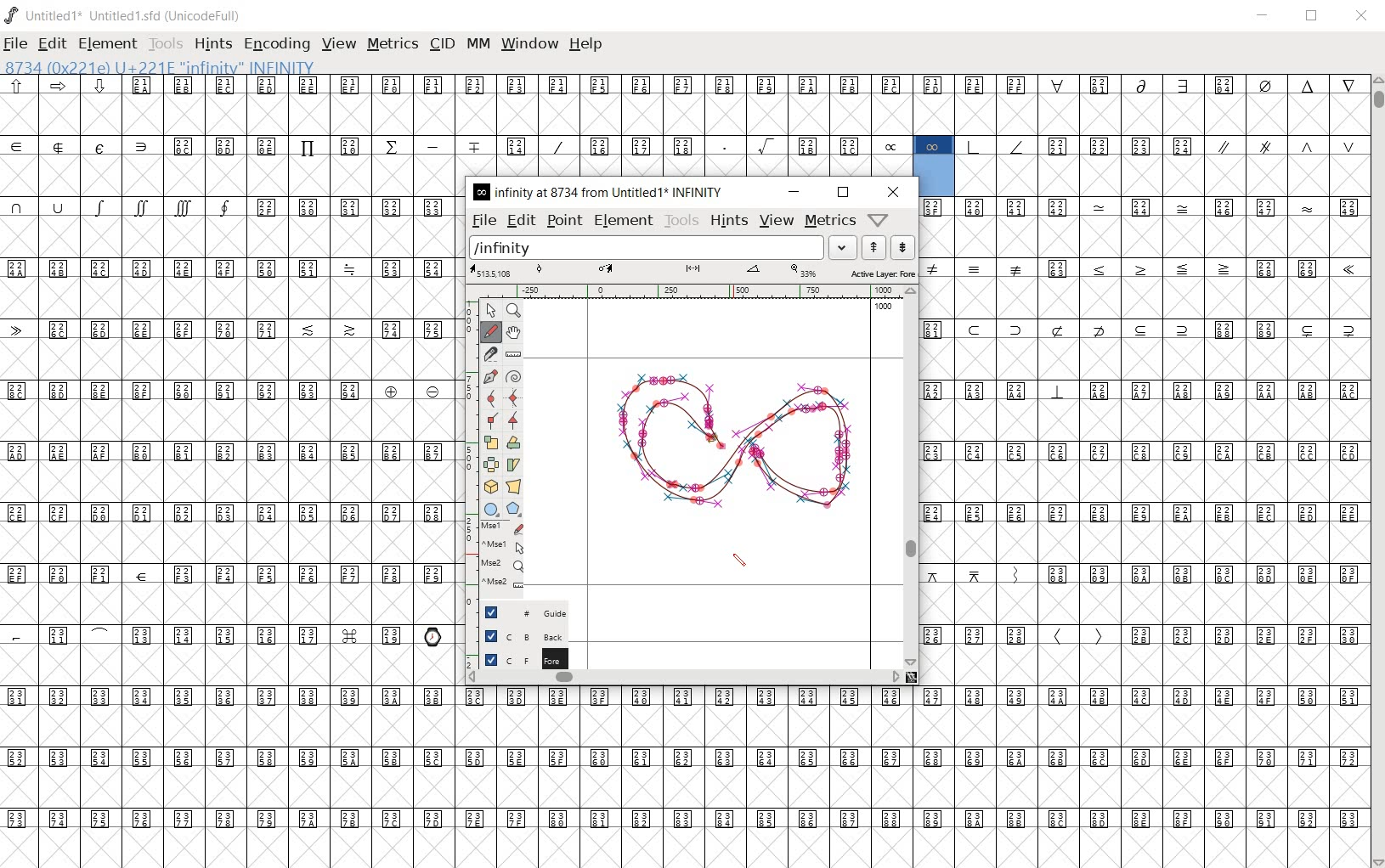 This screenshot has height=868, width=1385. Describe the element at coordinates (228, 176) in the screenshot. I see `empty glyph slots` at that location.